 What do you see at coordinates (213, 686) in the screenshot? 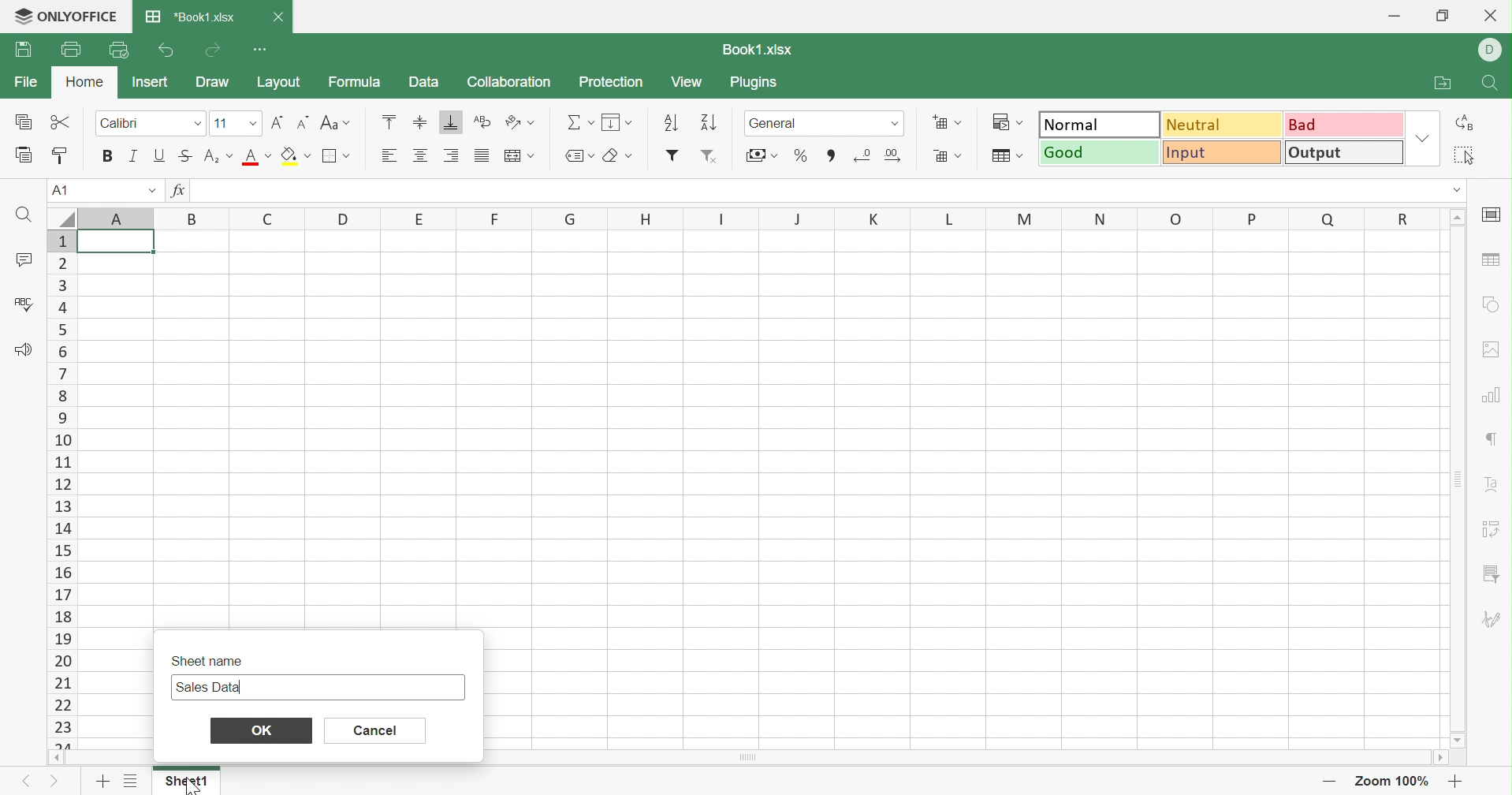
I see `Sales Data` at bounding box center [213, 686].